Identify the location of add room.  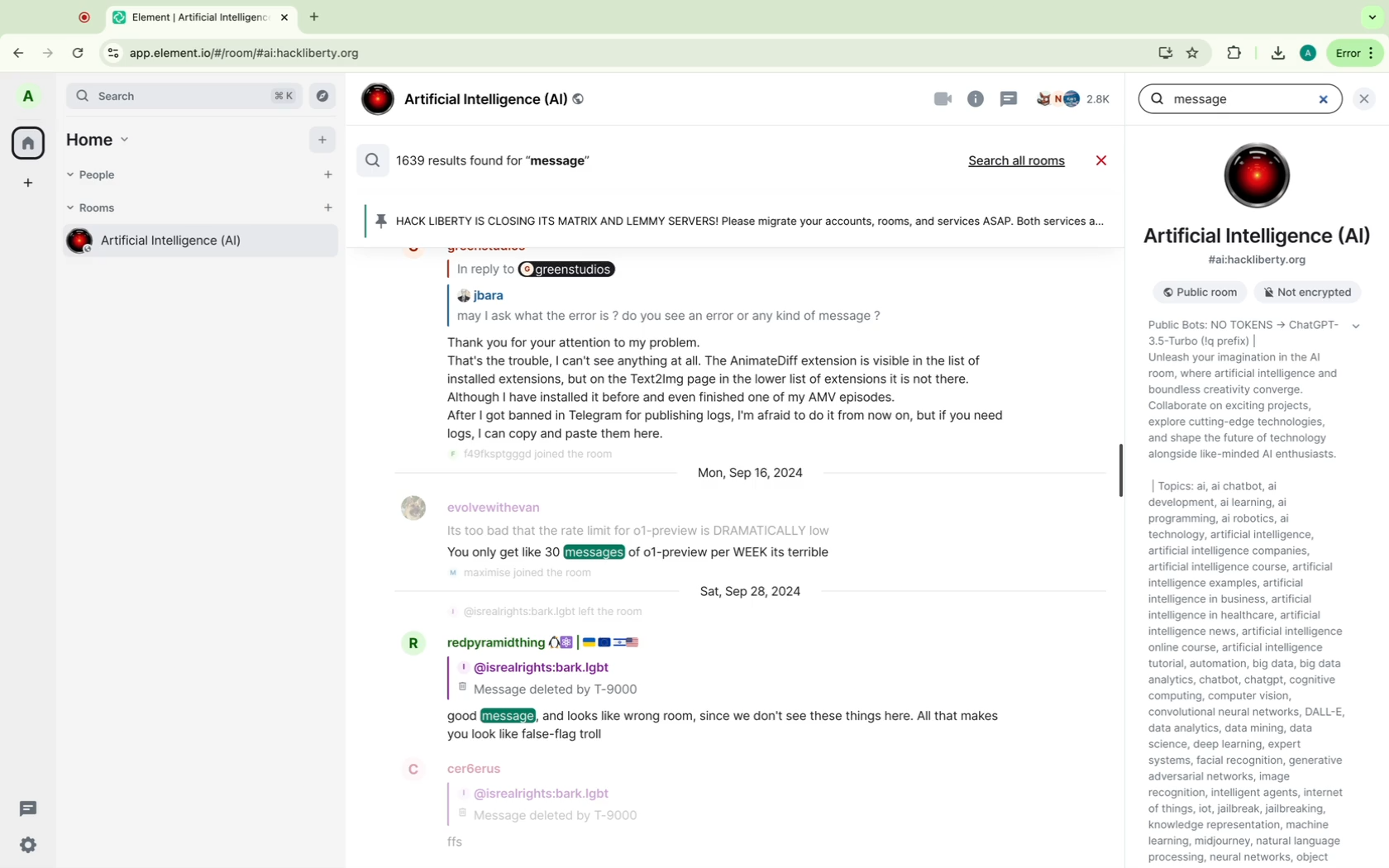
(328, 212).